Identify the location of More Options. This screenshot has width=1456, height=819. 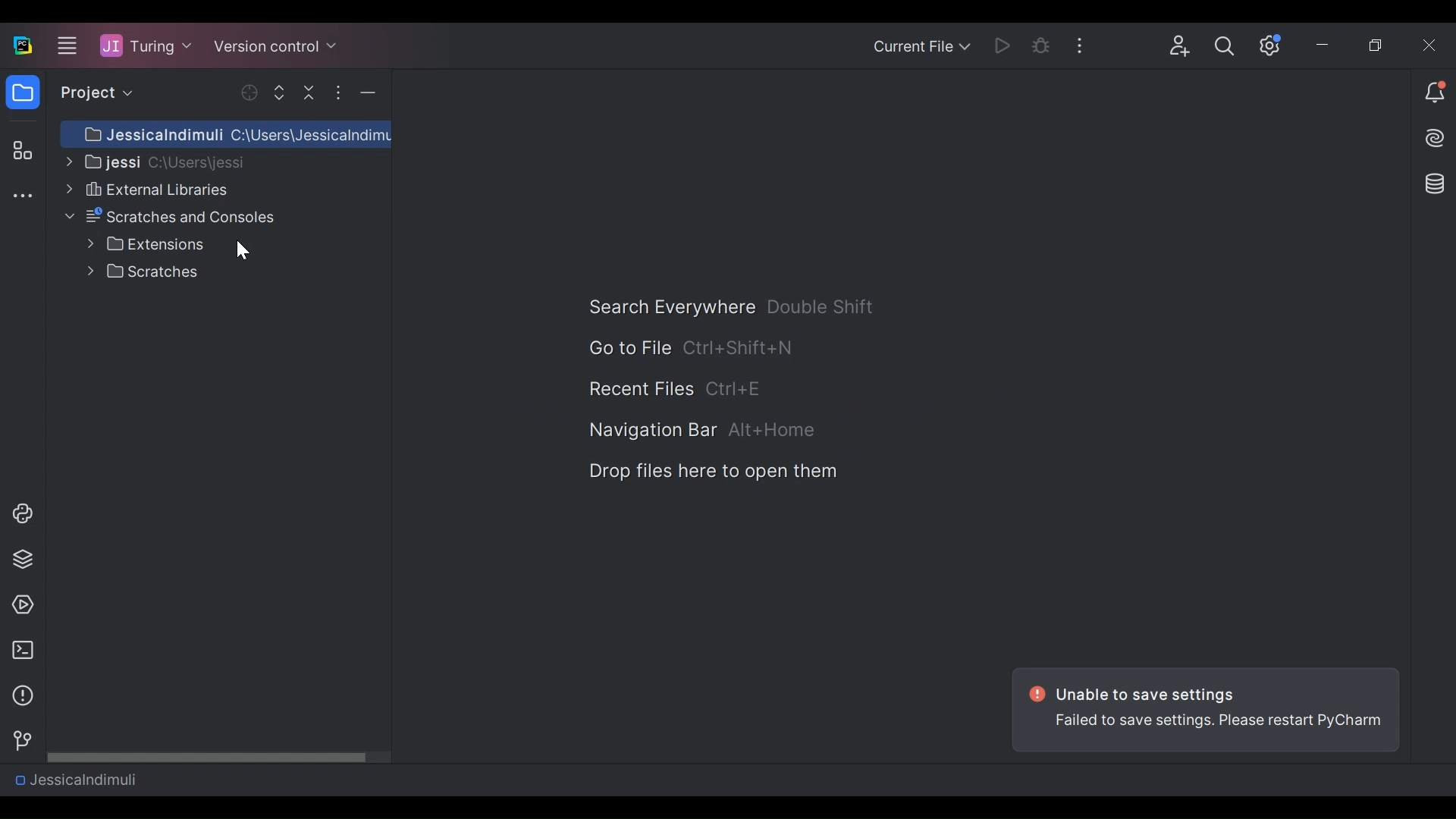
(1084, 44).